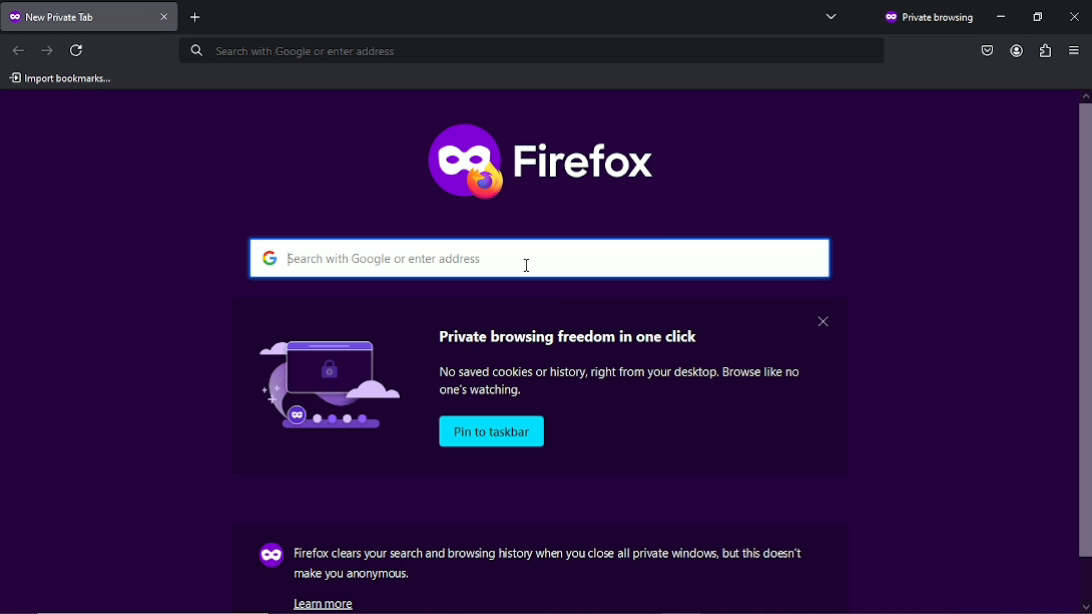  I want to click on import bookmarks, so click(60, 78).